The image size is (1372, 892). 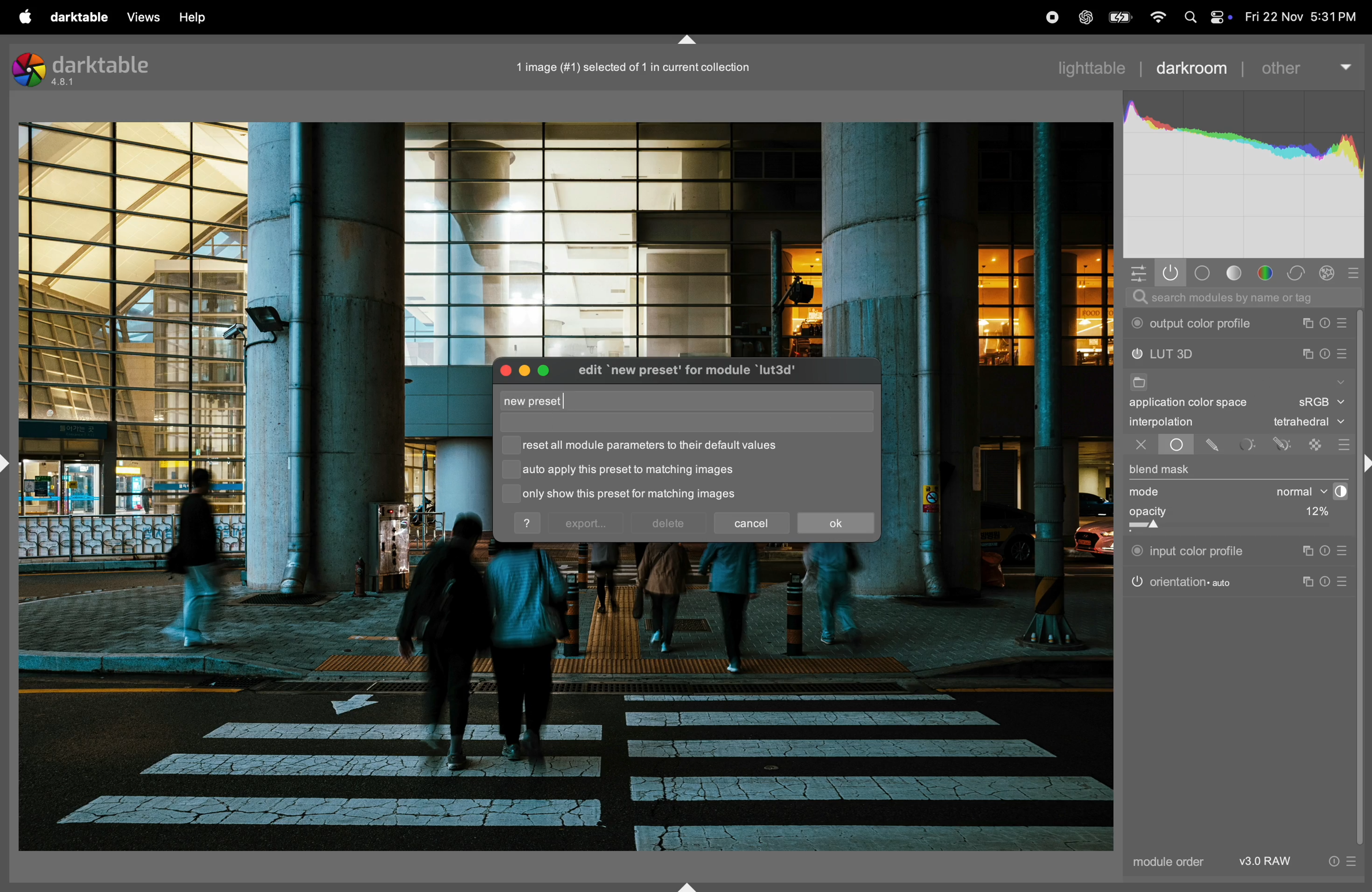 What do you see at coordinates (1337, 492) in the screenshot?
I see `contrast` at bounding box center [1337, 492].